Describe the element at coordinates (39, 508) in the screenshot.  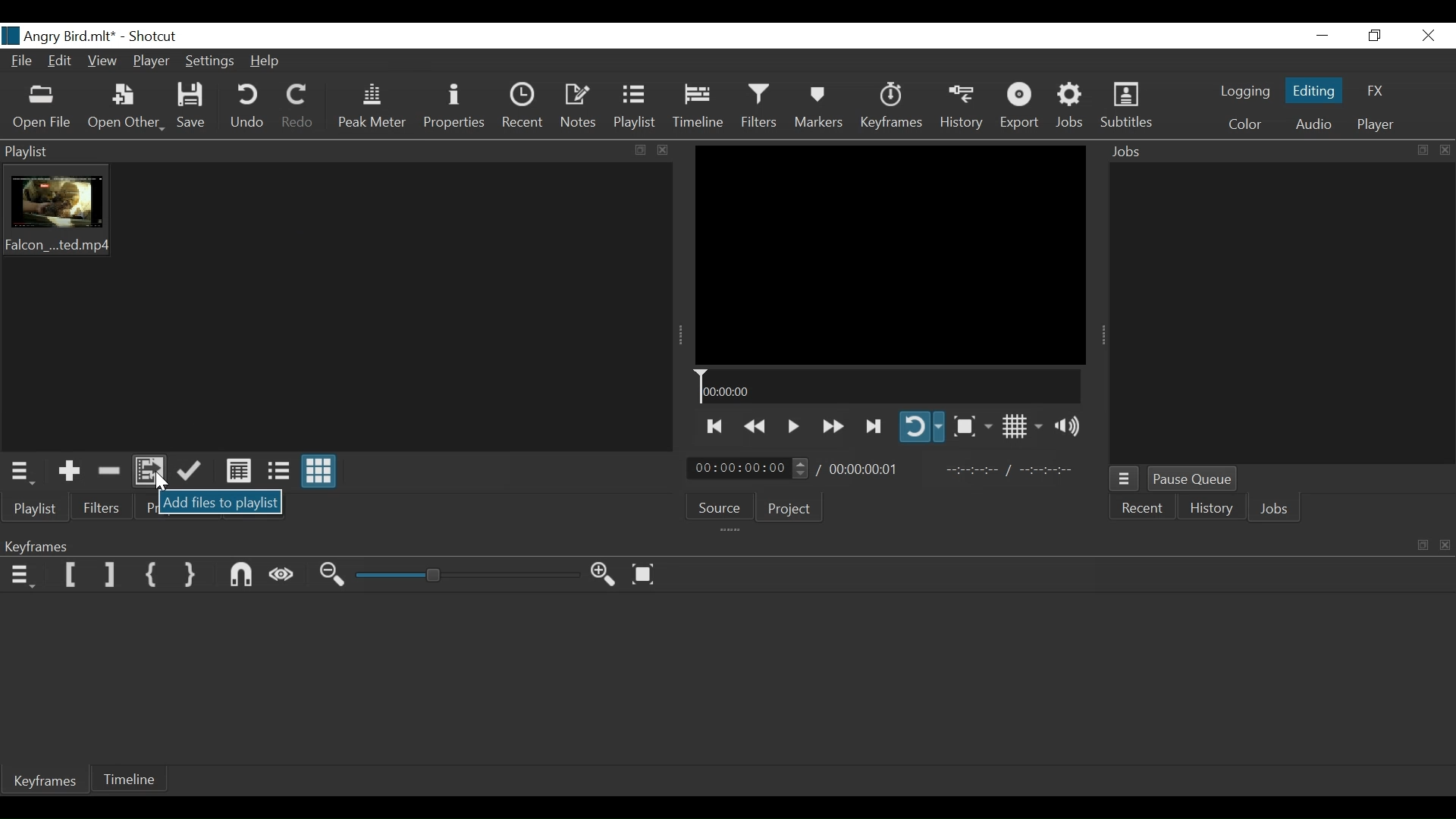
I see `Playlist` at that location.